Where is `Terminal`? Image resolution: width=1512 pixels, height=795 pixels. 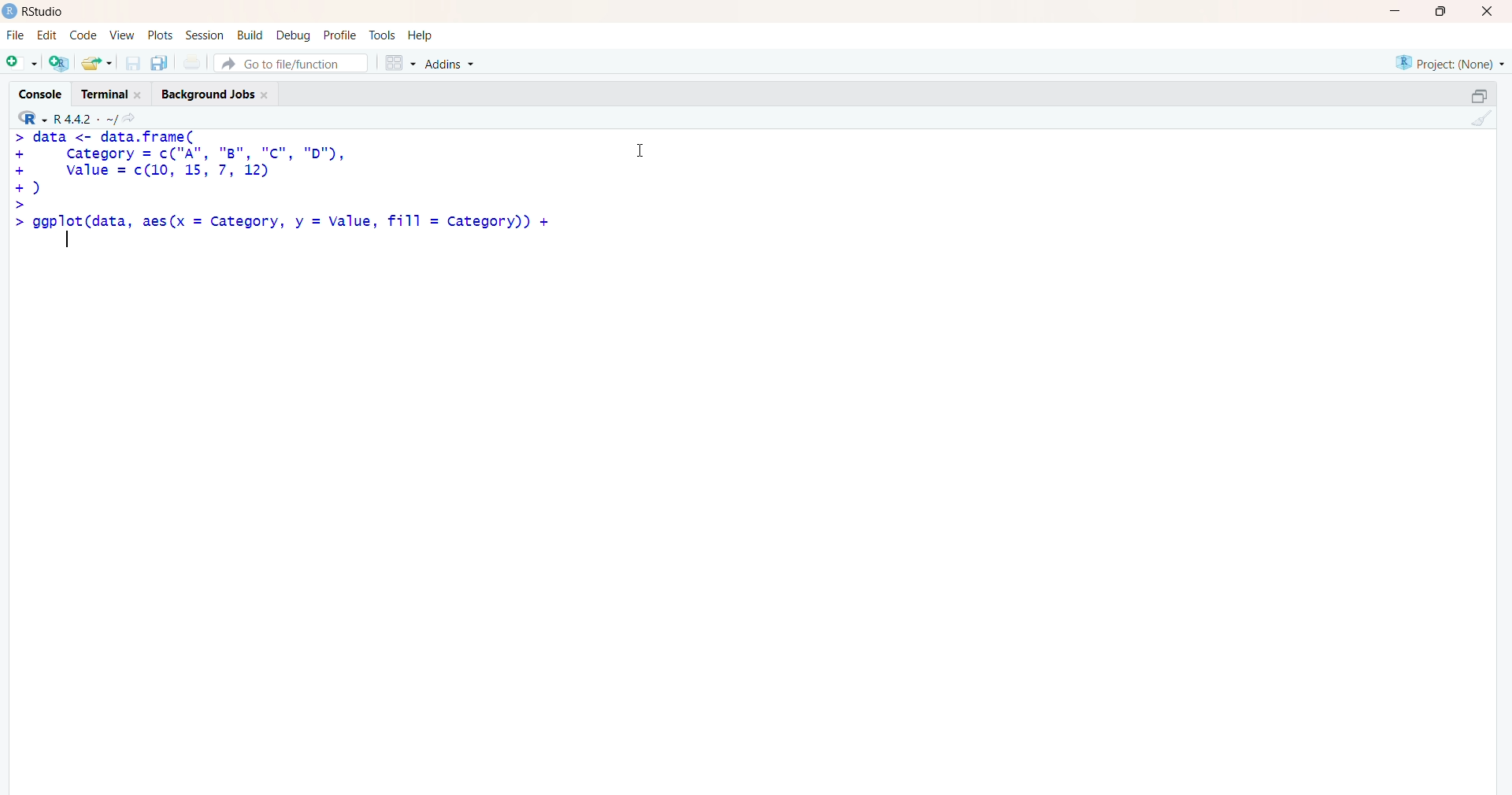 Terminal is located at coordinates (109, 92).